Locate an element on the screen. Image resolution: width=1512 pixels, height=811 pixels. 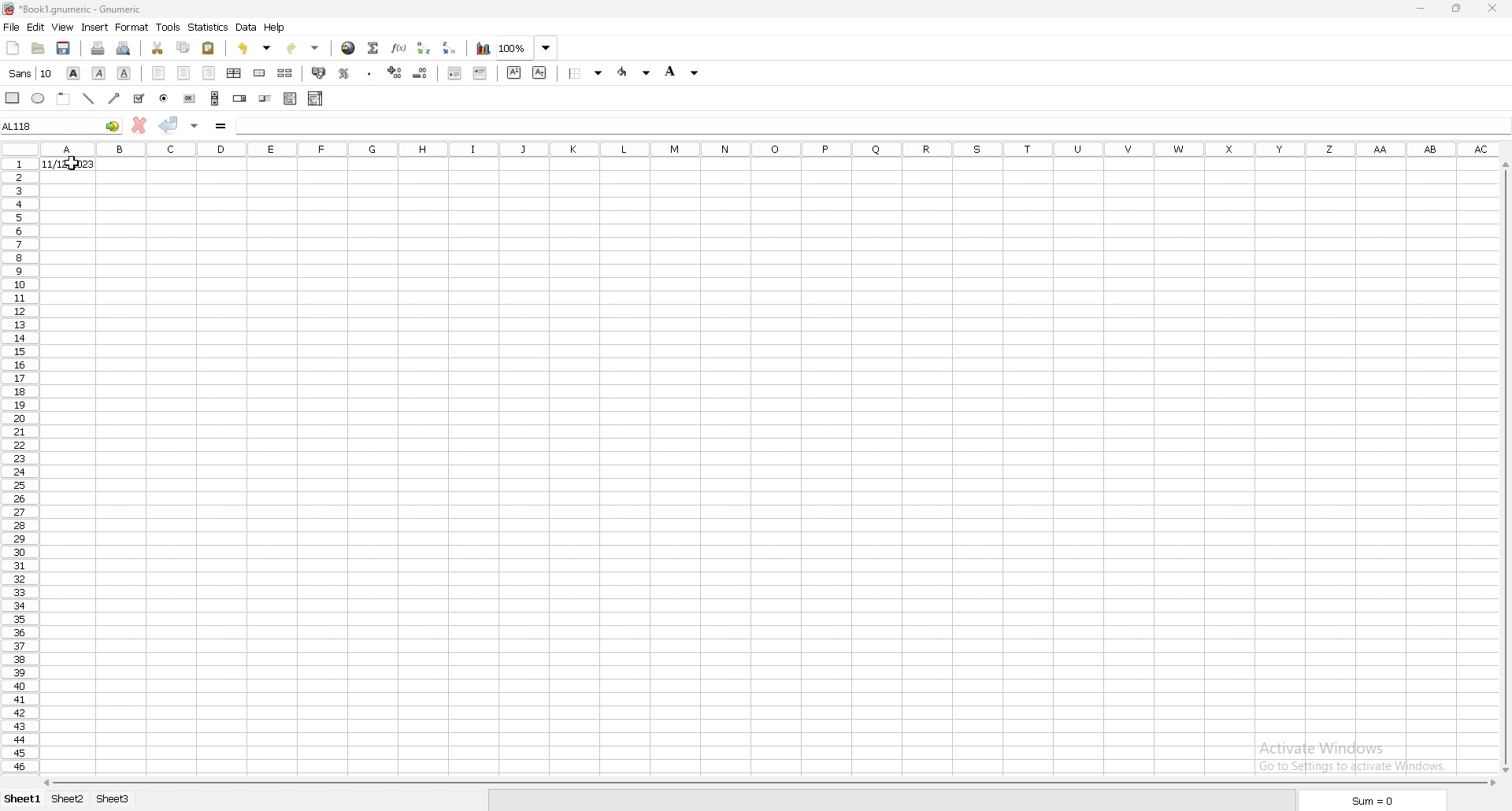
accept changes in all cells is located at coordinates (195, 125).